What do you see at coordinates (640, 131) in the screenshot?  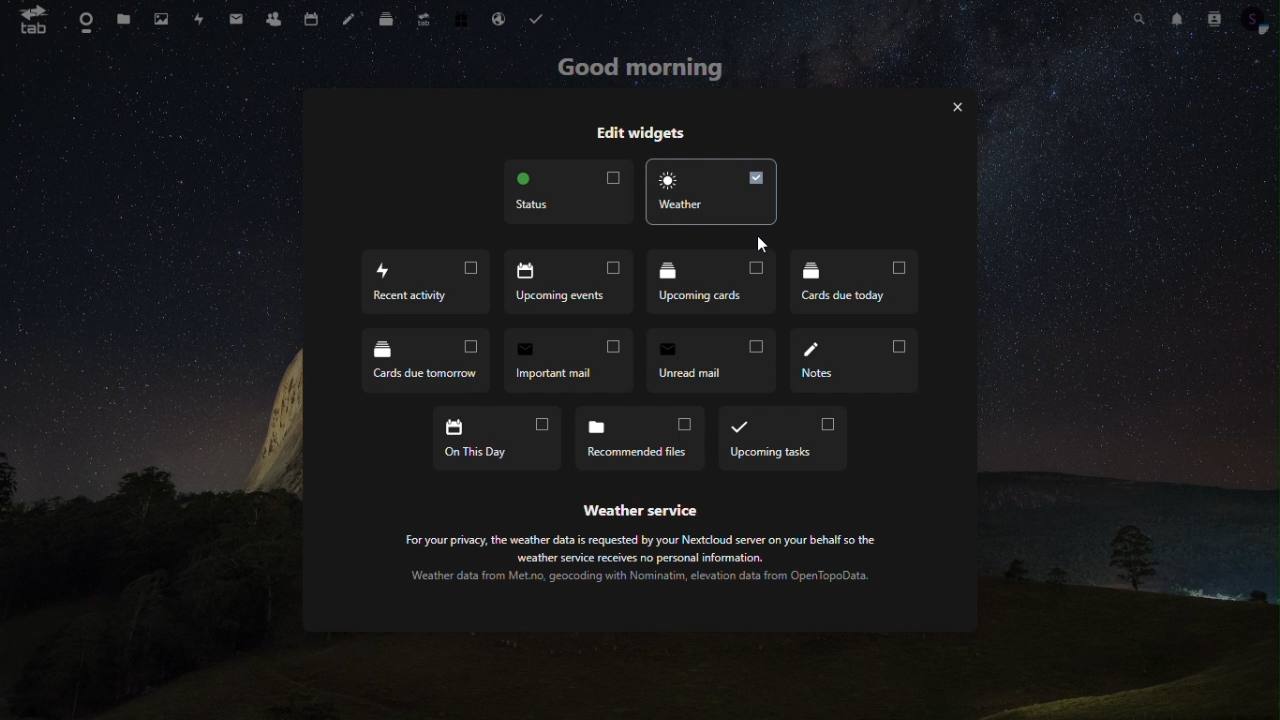 I see `edit widgets` at bounding box center [640, 131].